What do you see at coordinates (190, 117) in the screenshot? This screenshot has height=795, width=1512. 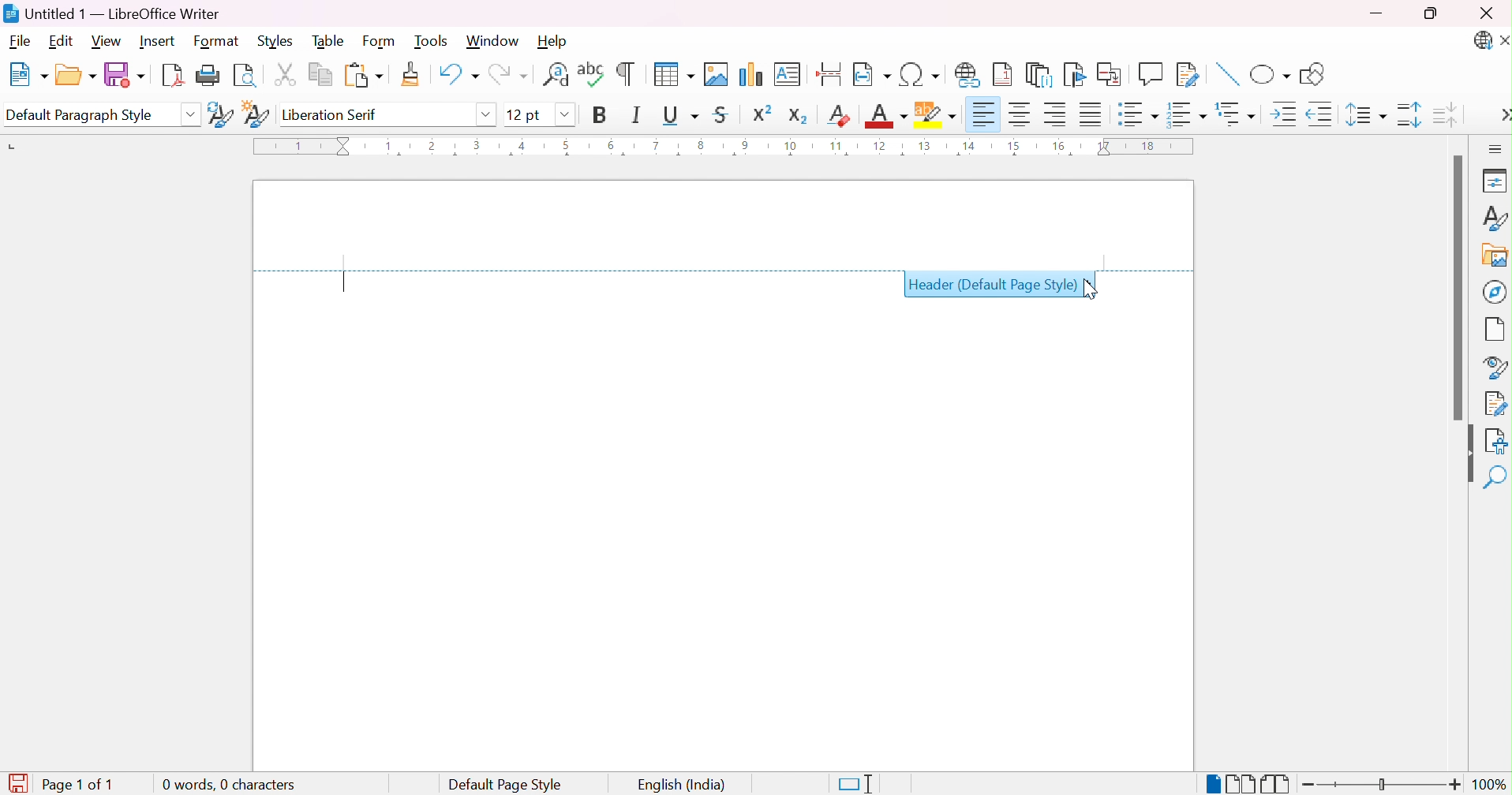 I see `Drop down` at bounding box center [190, 117].